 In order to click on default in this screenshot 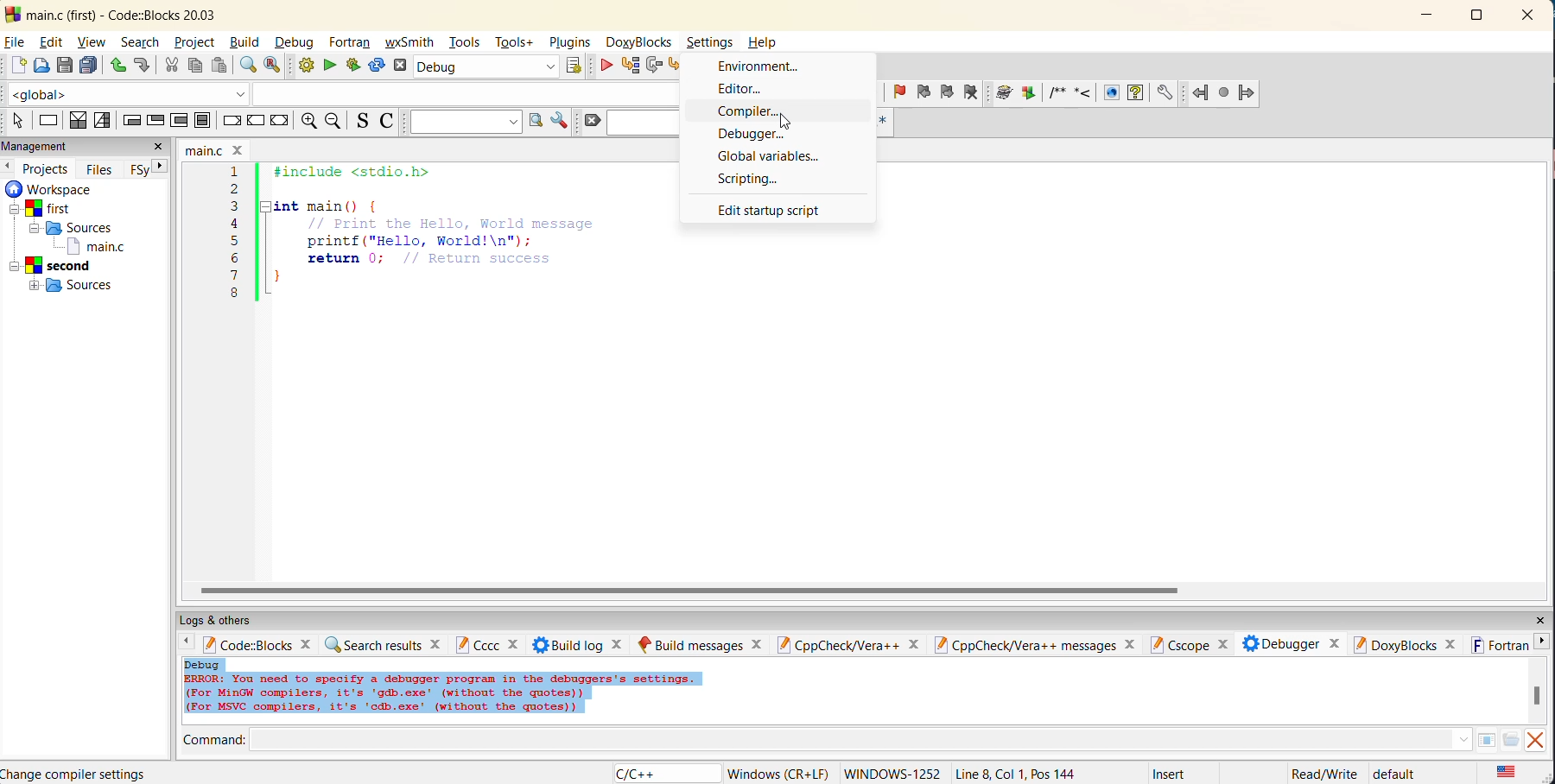, I will do `click(1396, 774)`.